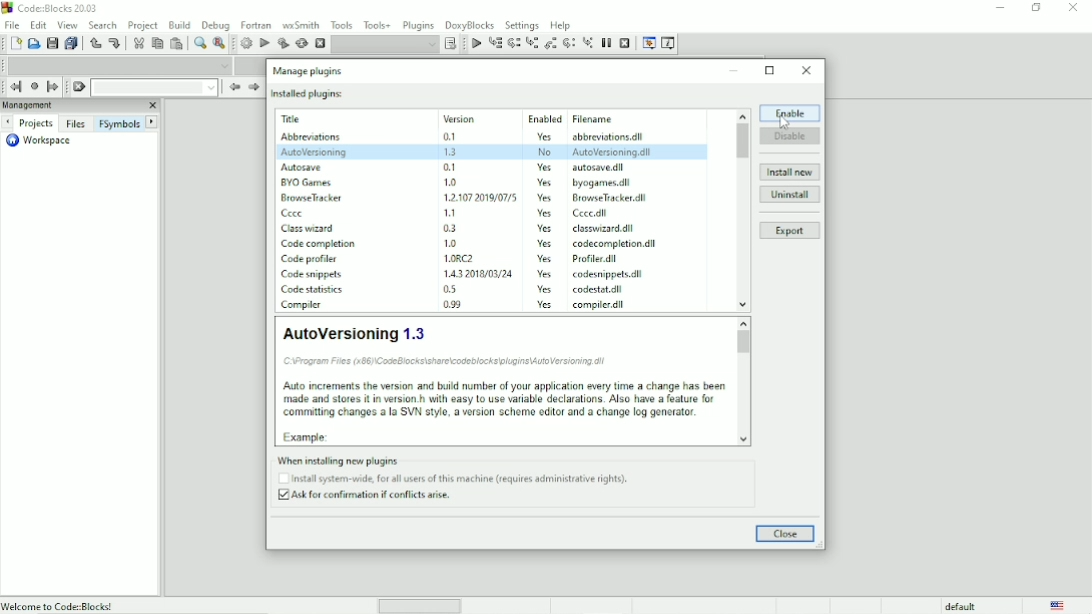 This screenshot has height=614, width=1092. What do you see at coordinates (449, 44) in the screenshot?
I see `Show the select target dialog` at bounding box center [449, 44].